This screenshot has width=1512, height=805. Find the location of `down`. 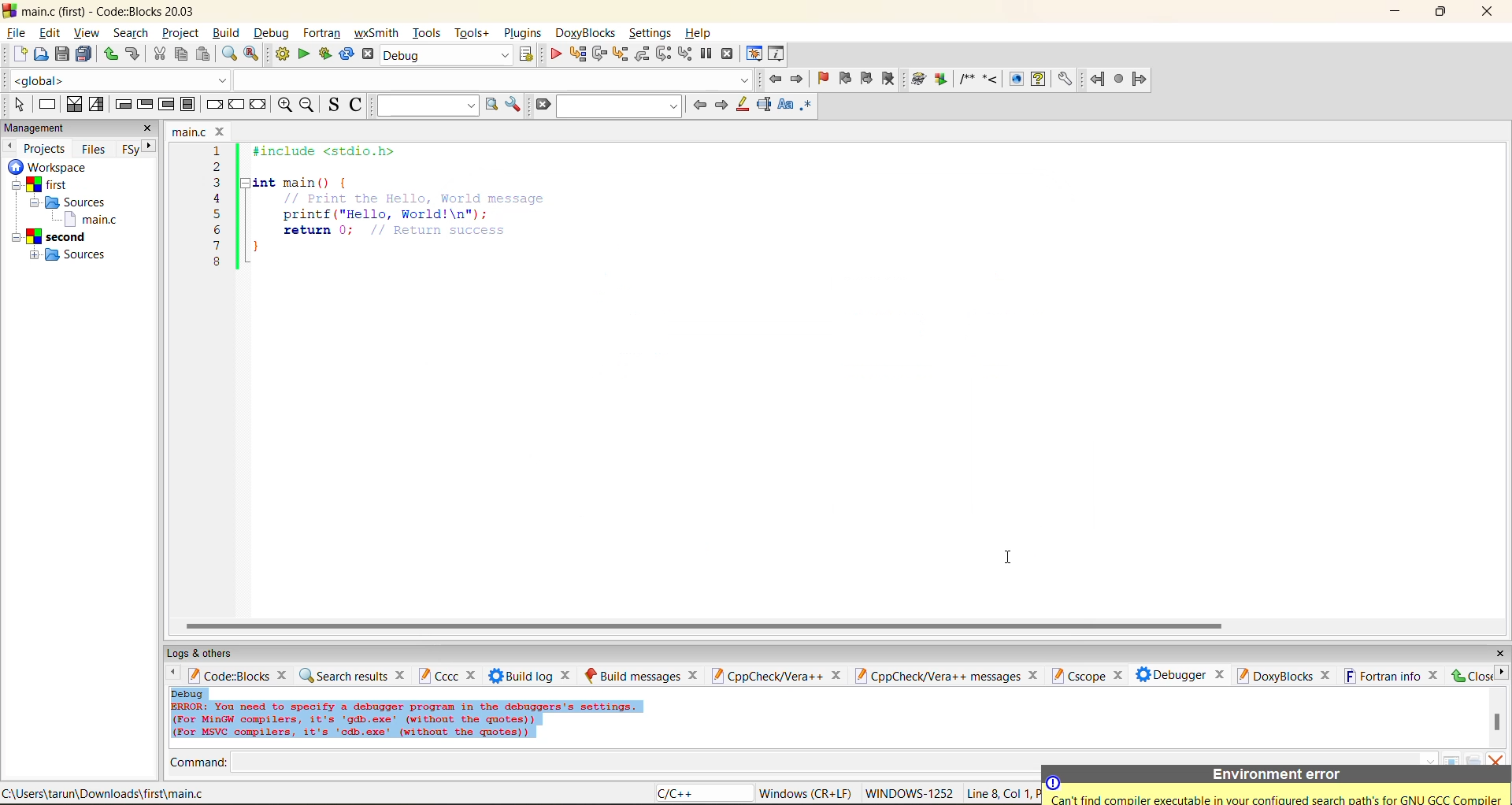

down is located at coordinates (1430, 759).